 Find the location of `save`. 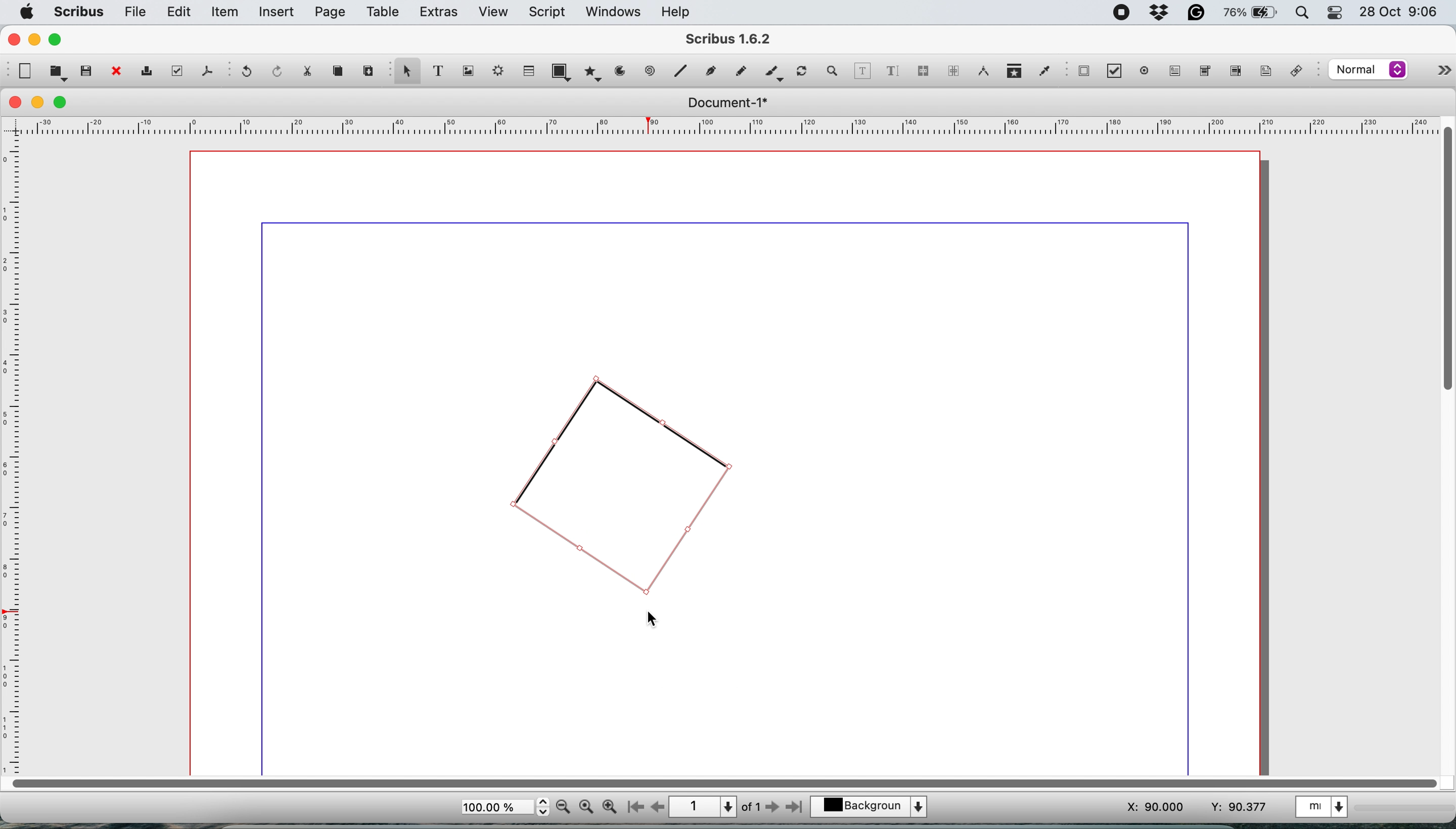

save is located at coordinates (86, 71).